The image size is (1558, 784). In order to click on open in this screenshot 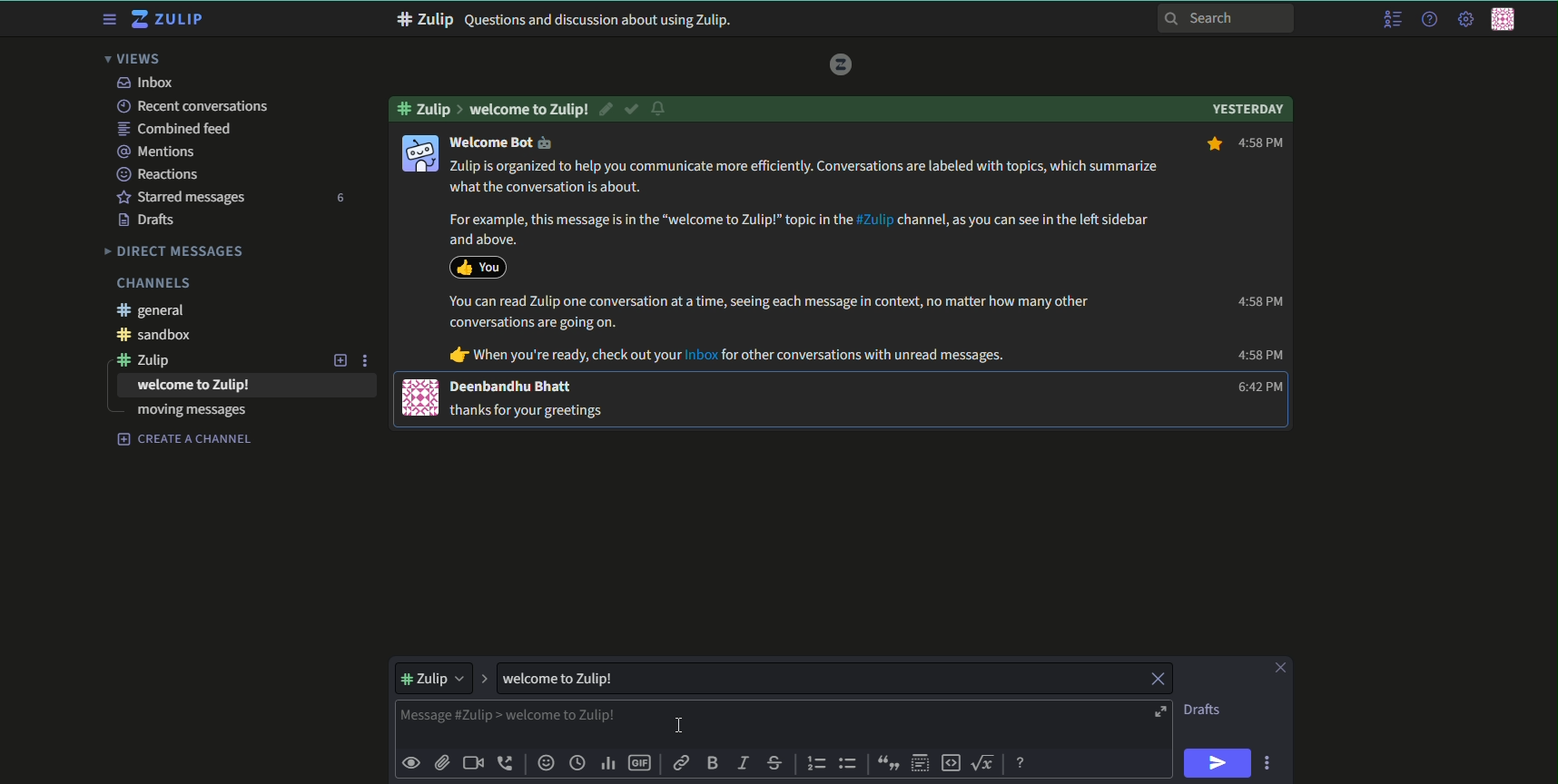, I will do `click(1159, 712)`.